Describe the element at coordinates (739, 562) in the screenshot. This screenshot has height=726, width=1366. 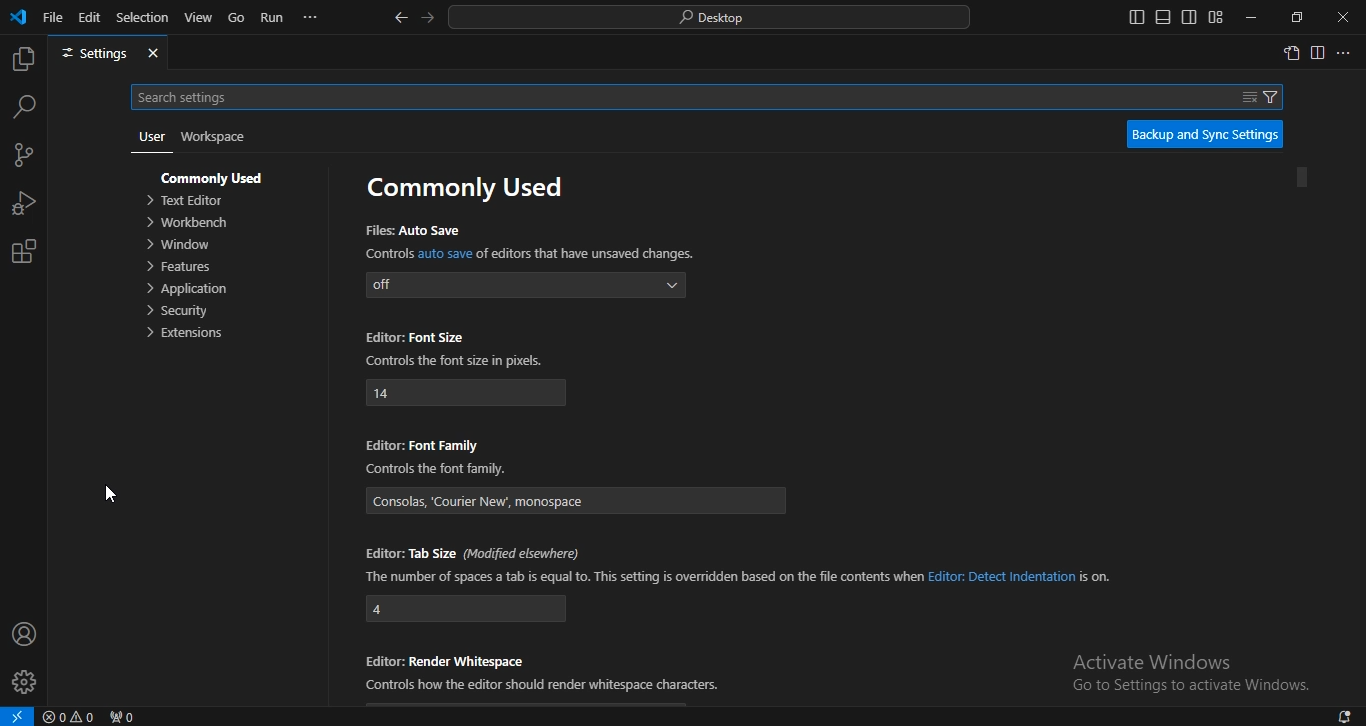
I see `Editor: Tab Size (Modified elsewhere)
The number of spaces a tab is equal to. This setting is overridden based on the file contents when Editor: Detect Indentation is on.` at that location.